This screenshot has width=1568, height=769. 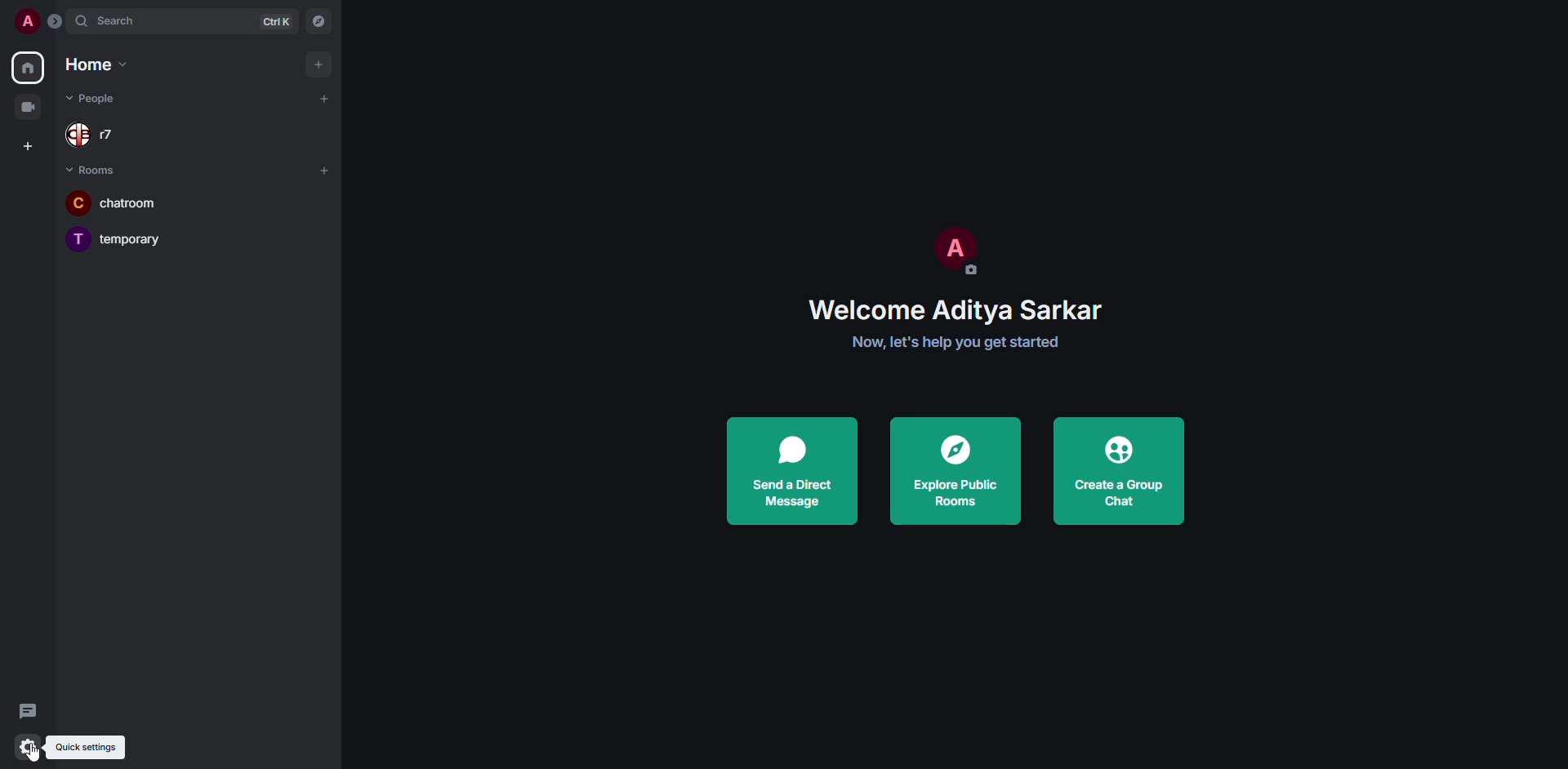 What do you see at coordinates (119, 202) in the screenshot?
I see `chatroom` at bounding box center [119, 202].